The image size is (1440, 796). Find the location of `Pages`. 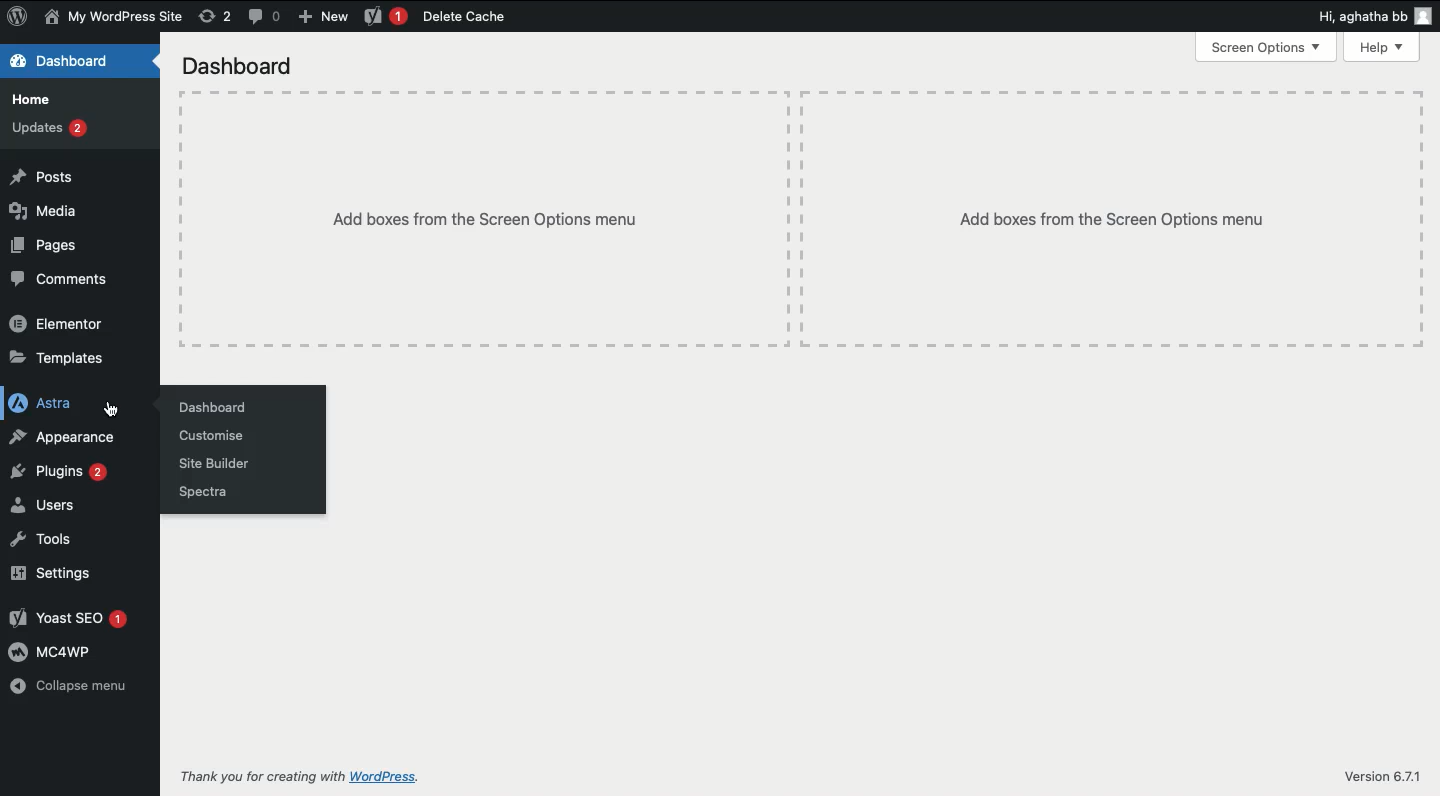

Pages is located at coordinates (43, 246).